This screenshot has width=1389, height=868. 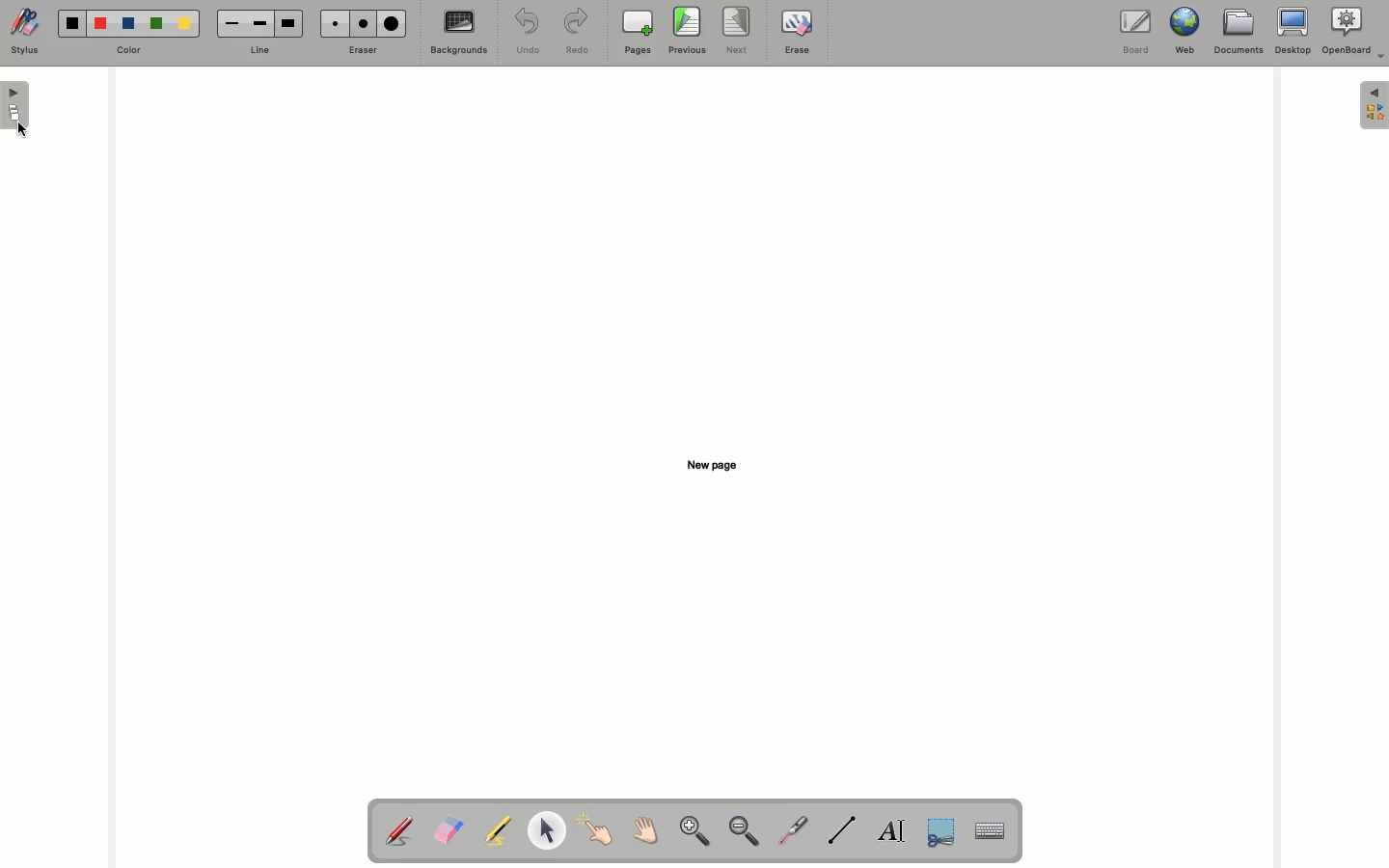 What do you see at coordinates (638, 32) in the screenshot?
I see `Pages` at bounding box center [638, 32].